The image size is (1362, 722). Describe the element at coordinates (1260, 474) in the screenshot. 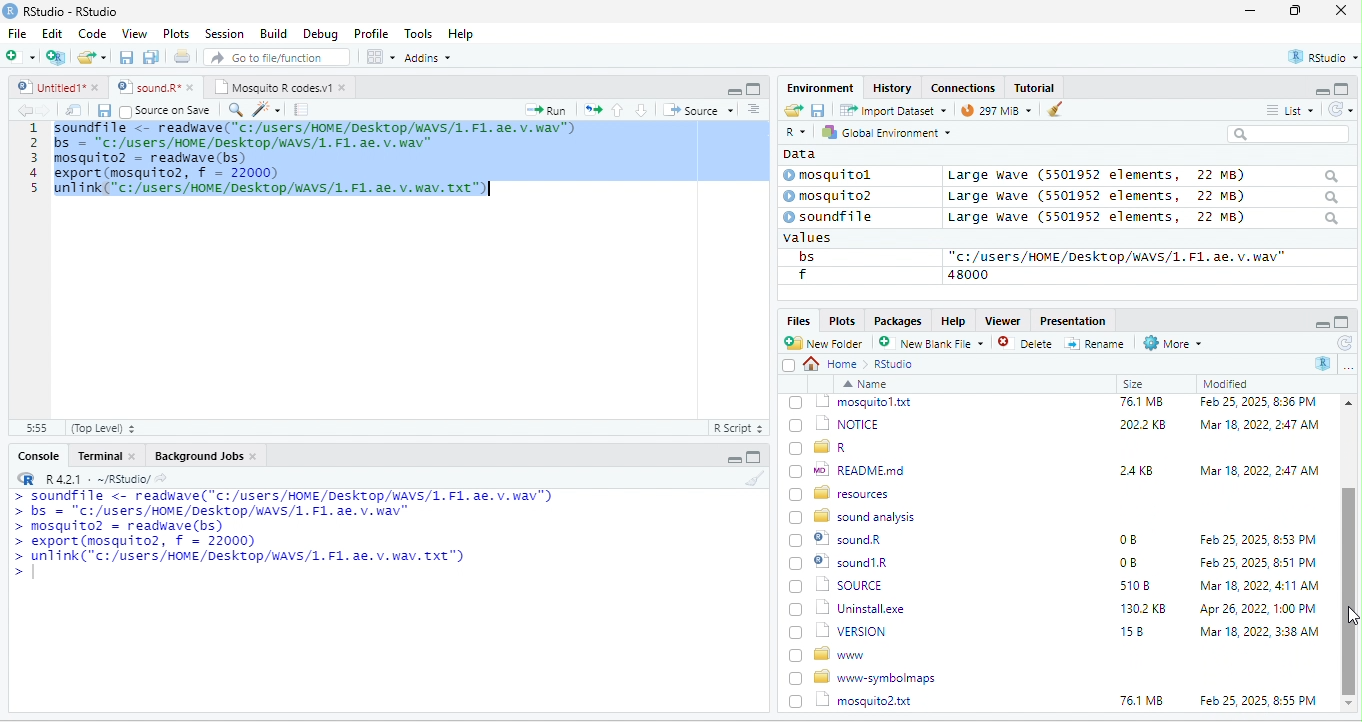

I see `Mar 18, 2022, 247 AM` at that location.